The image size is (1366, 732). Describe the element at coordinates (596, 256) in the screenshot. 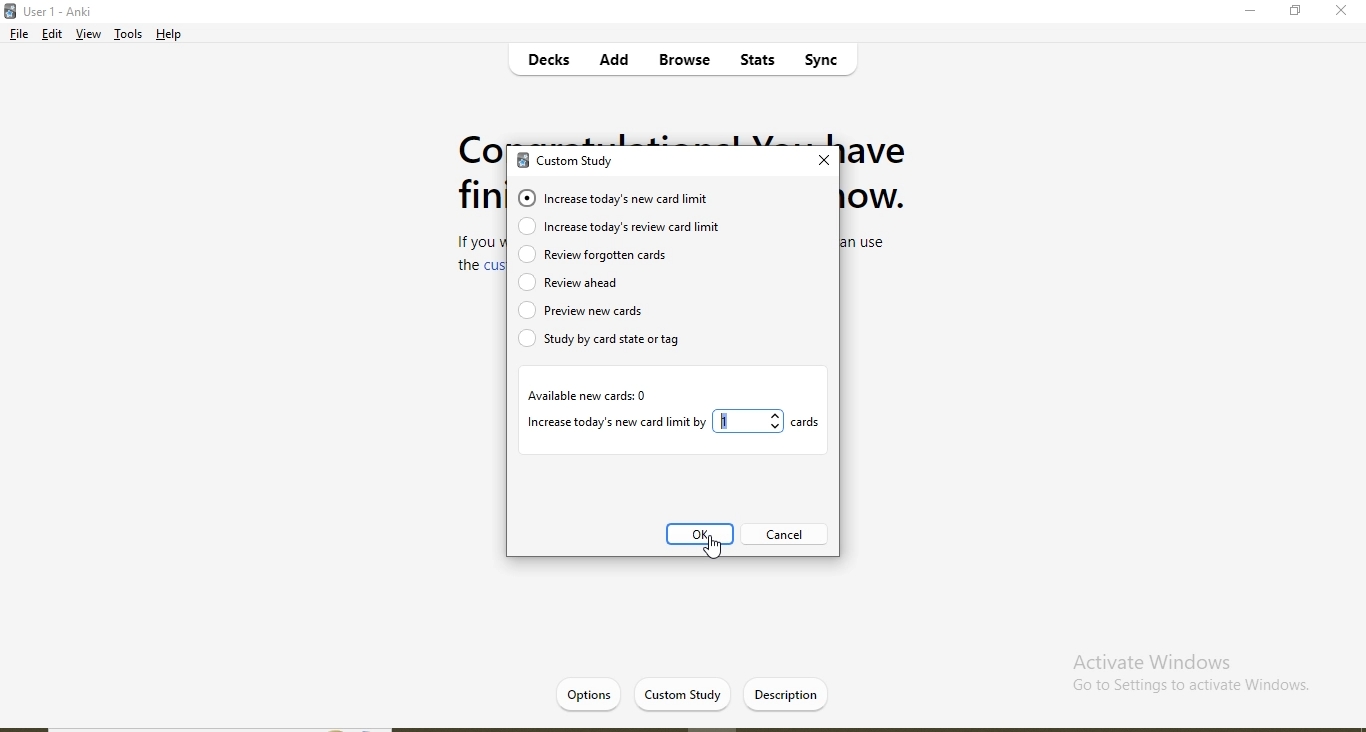

I see `review forgotten cards` at that location.